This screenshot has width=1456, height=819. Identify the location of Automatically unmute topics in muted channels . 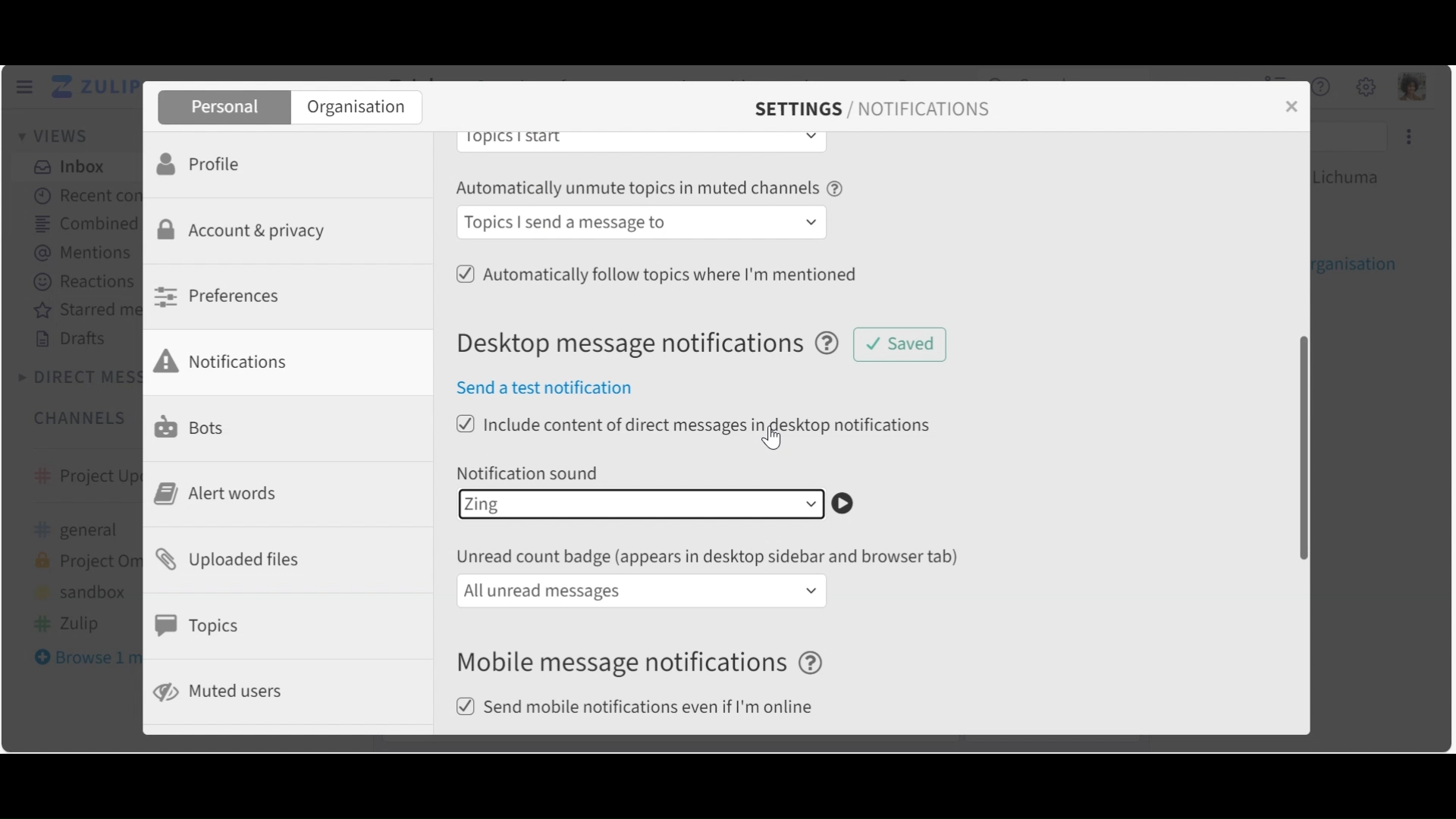
(651, 190).